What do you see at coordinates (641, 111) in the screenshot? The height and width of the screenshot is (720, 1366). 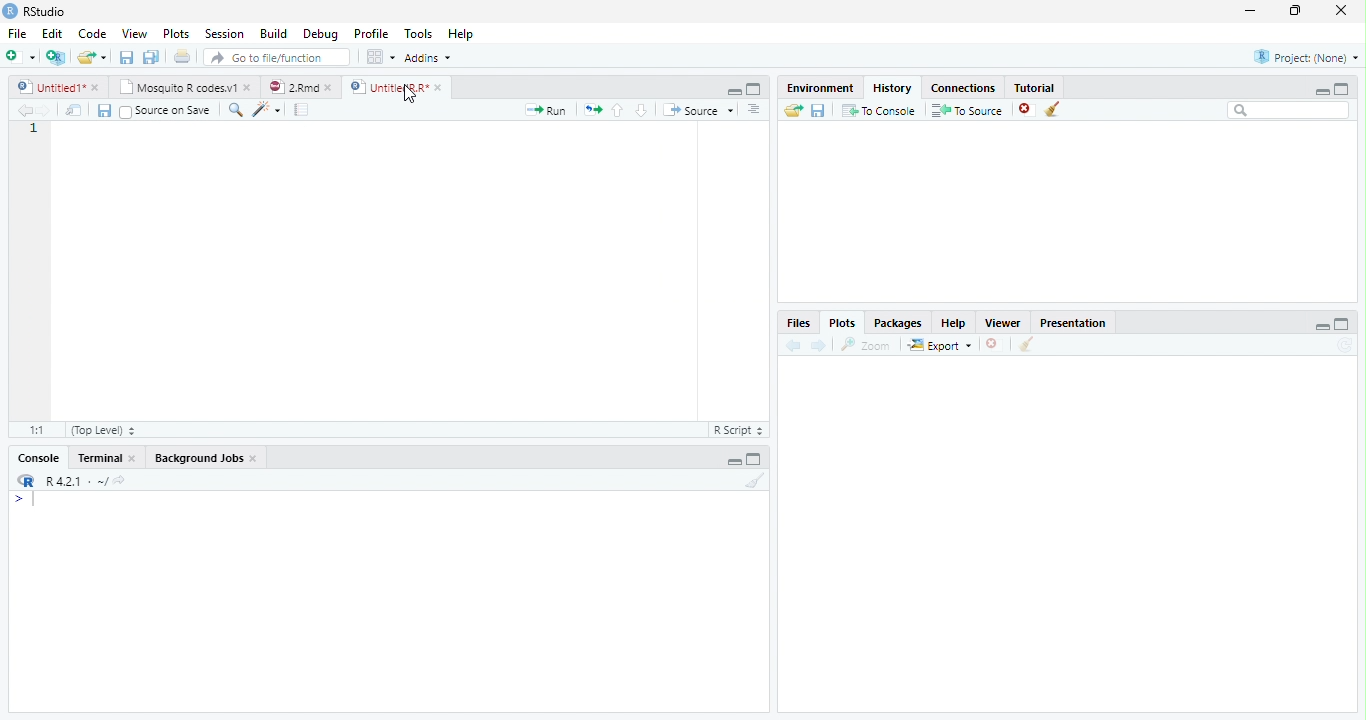 I see `Go to next section/chunk` at bounding box center [641, 111].